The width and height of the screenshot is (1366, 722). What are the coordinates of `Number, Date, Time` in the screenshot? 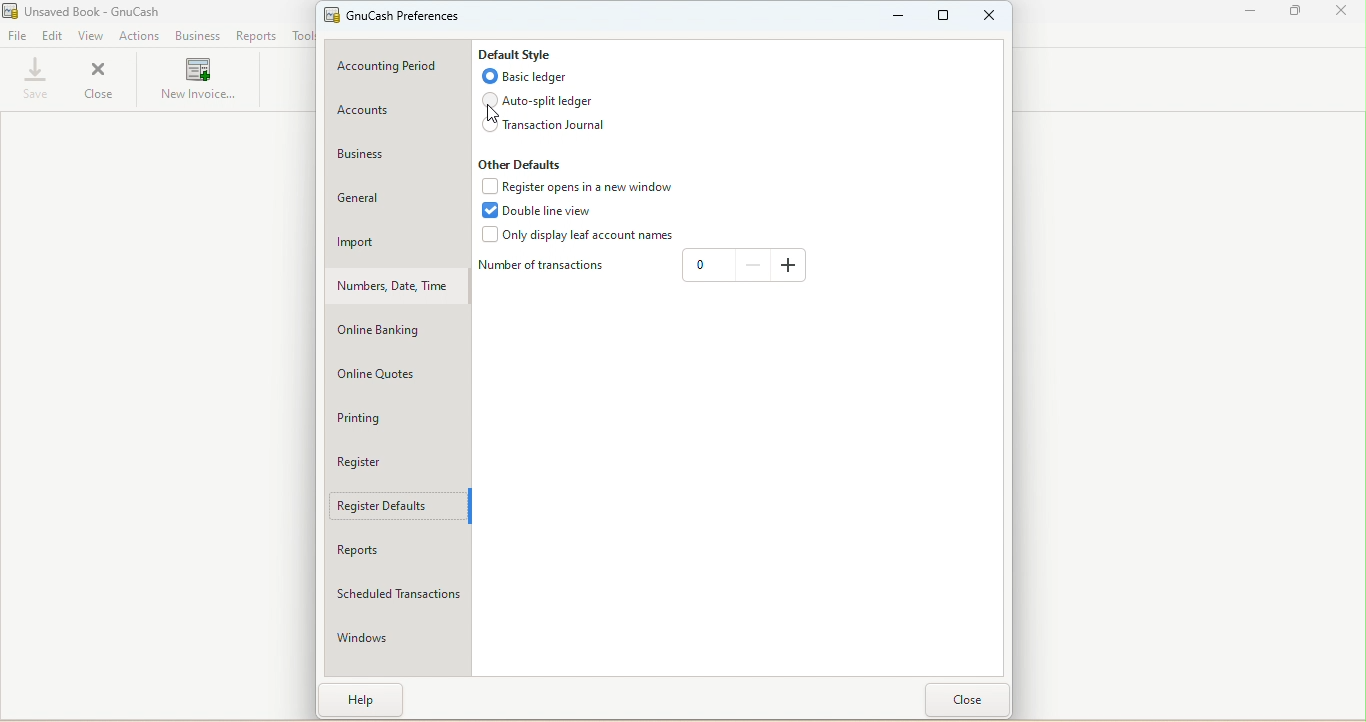 It's located at (393, 287).